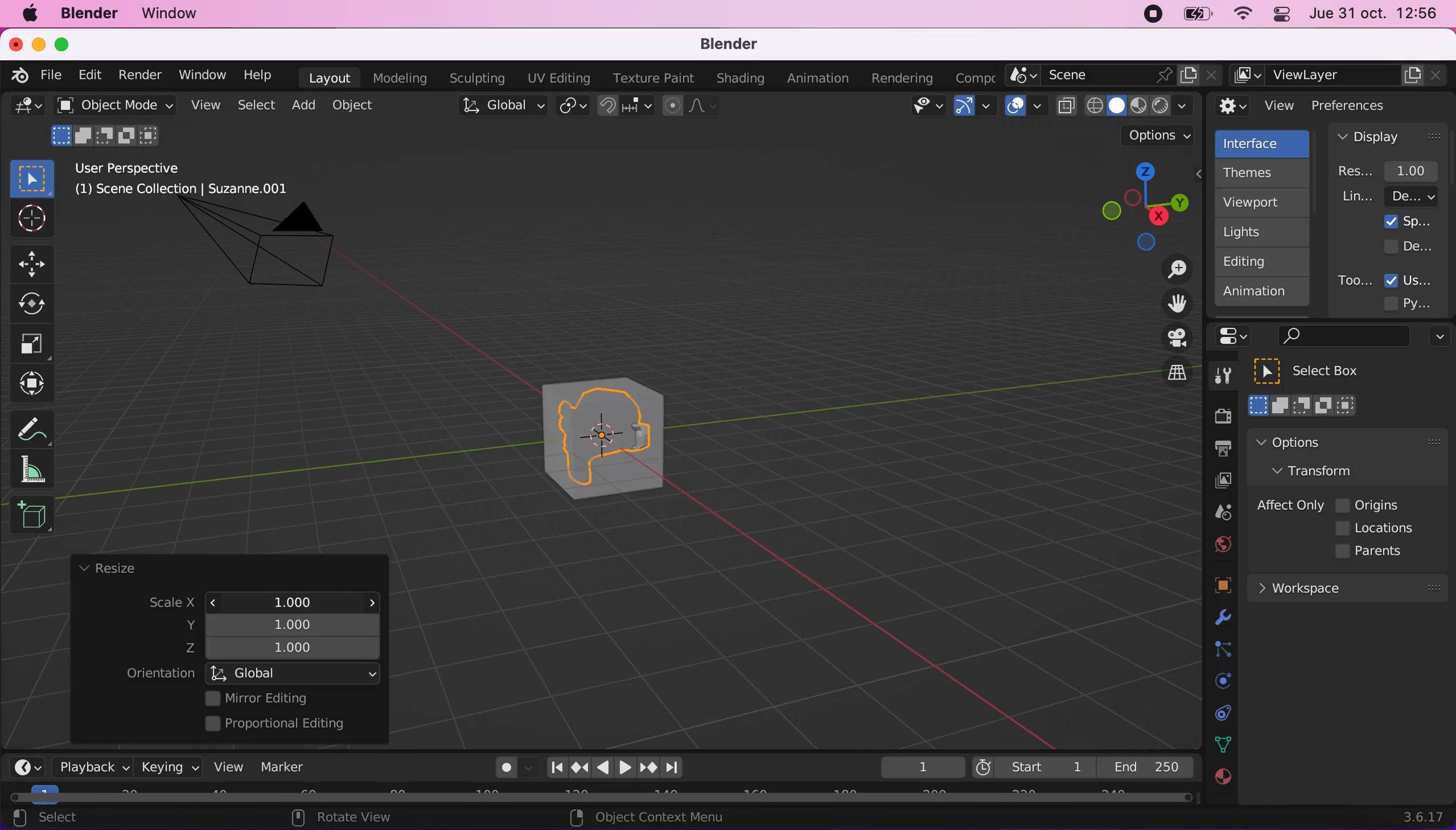  I want to click on options, so click(1437, 338).